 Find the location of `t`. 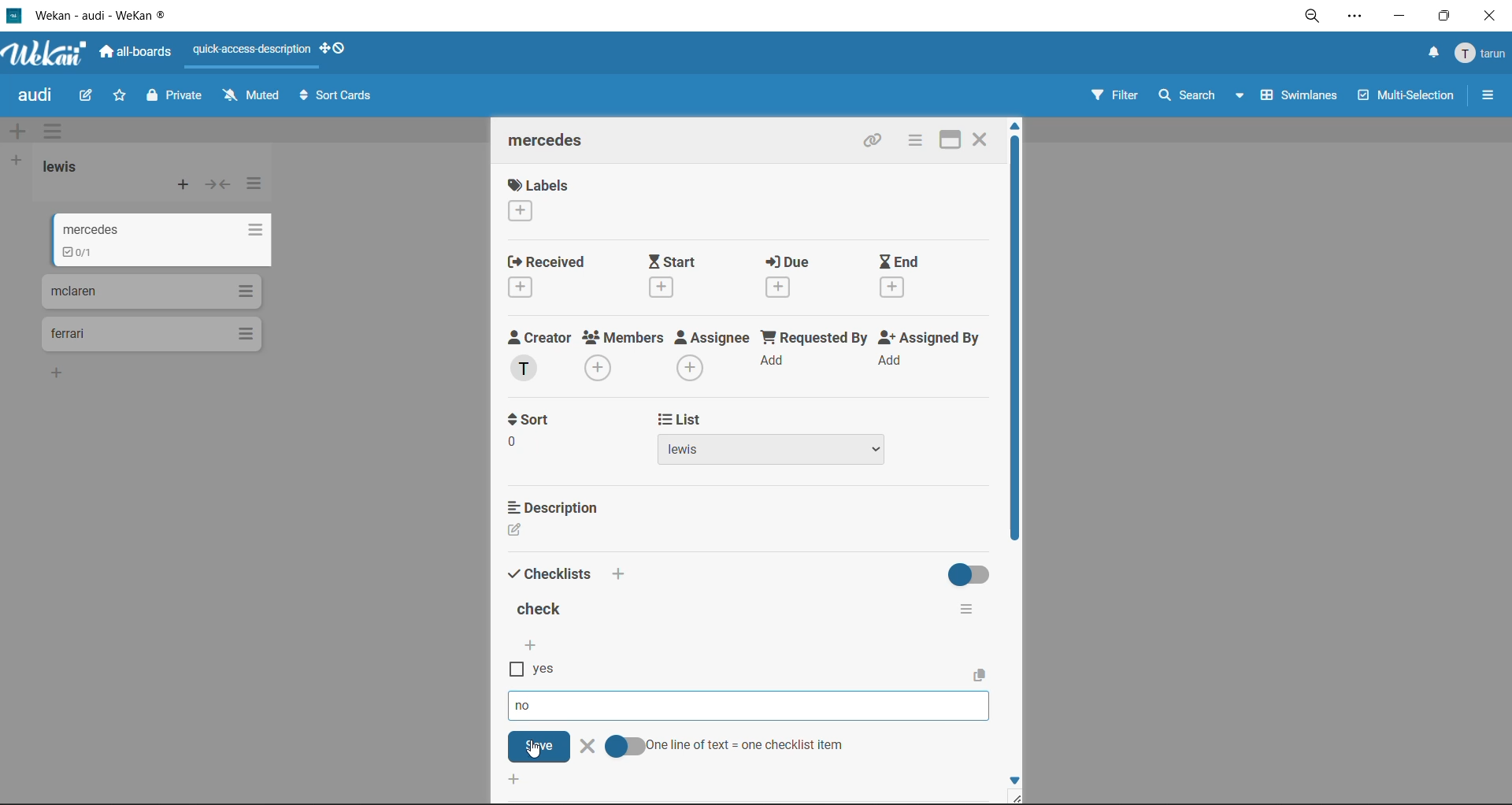

t is located at coordinates (529, 420).